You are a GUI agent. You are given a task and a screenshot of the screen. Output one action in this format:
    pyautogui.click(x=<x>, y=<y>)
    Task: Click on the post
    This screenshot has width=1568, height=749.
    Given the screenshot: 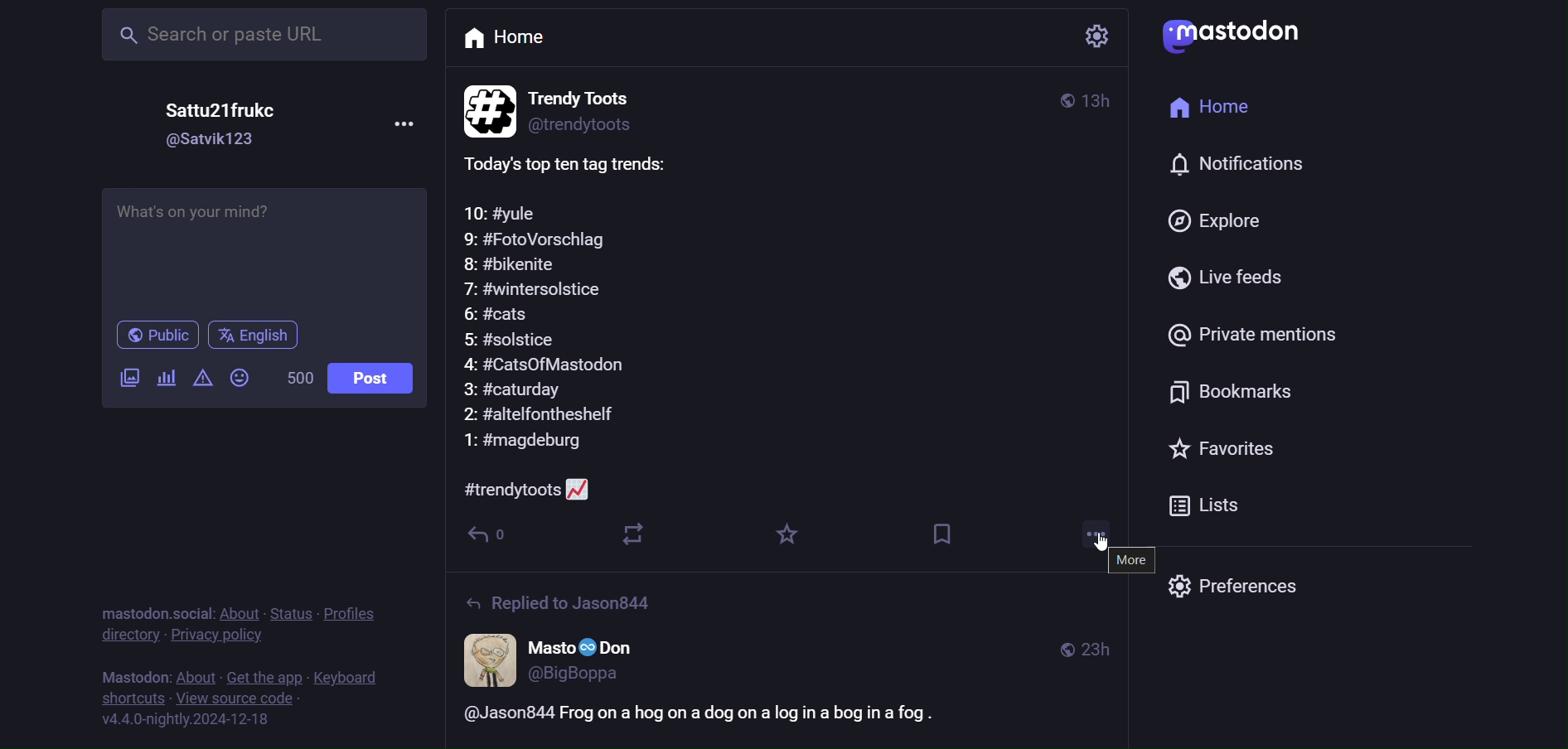 What is the action you would take?
    pyautogui.click(x=373, y=380)
    